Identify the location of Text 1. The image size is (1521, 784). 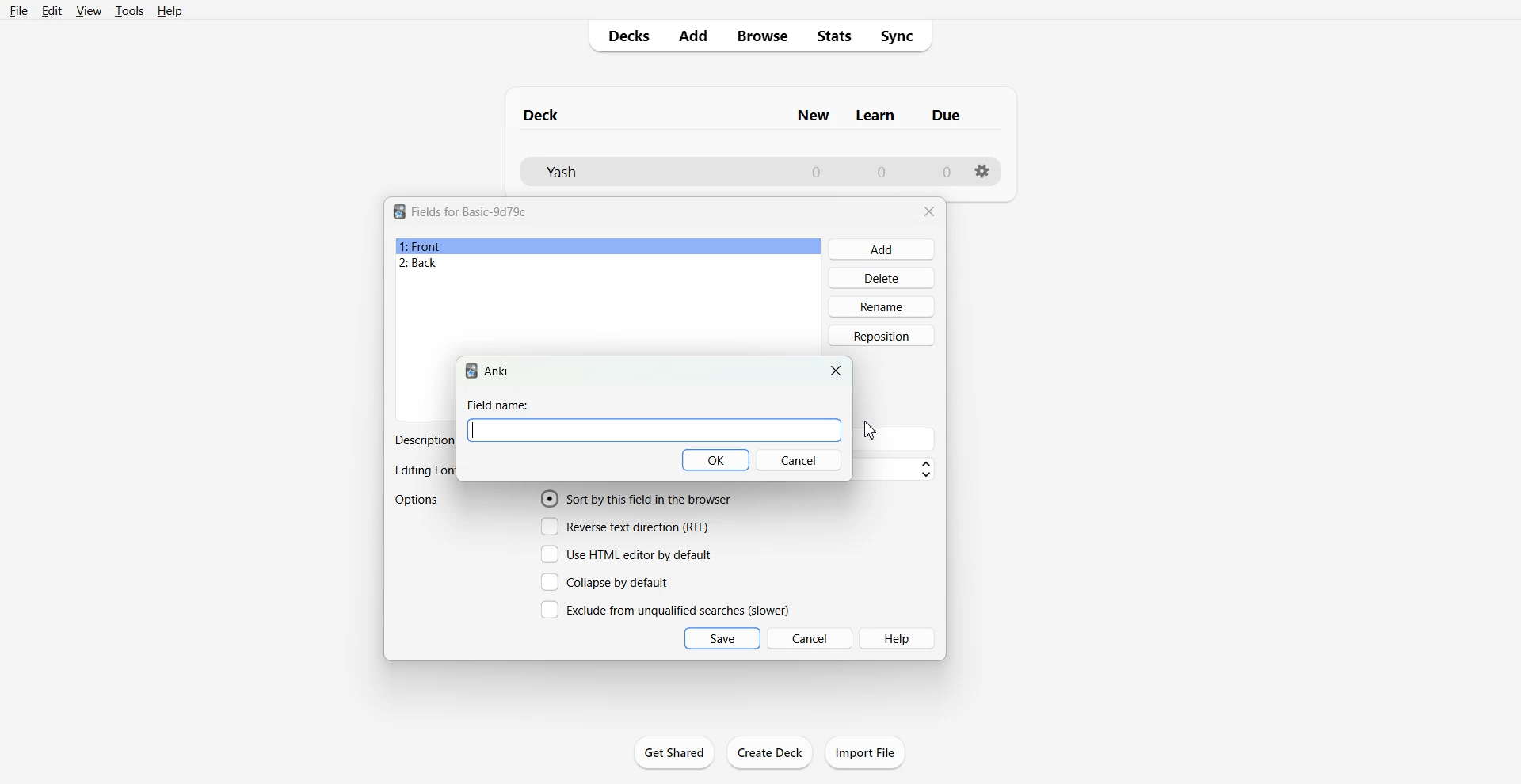
(542, 115).